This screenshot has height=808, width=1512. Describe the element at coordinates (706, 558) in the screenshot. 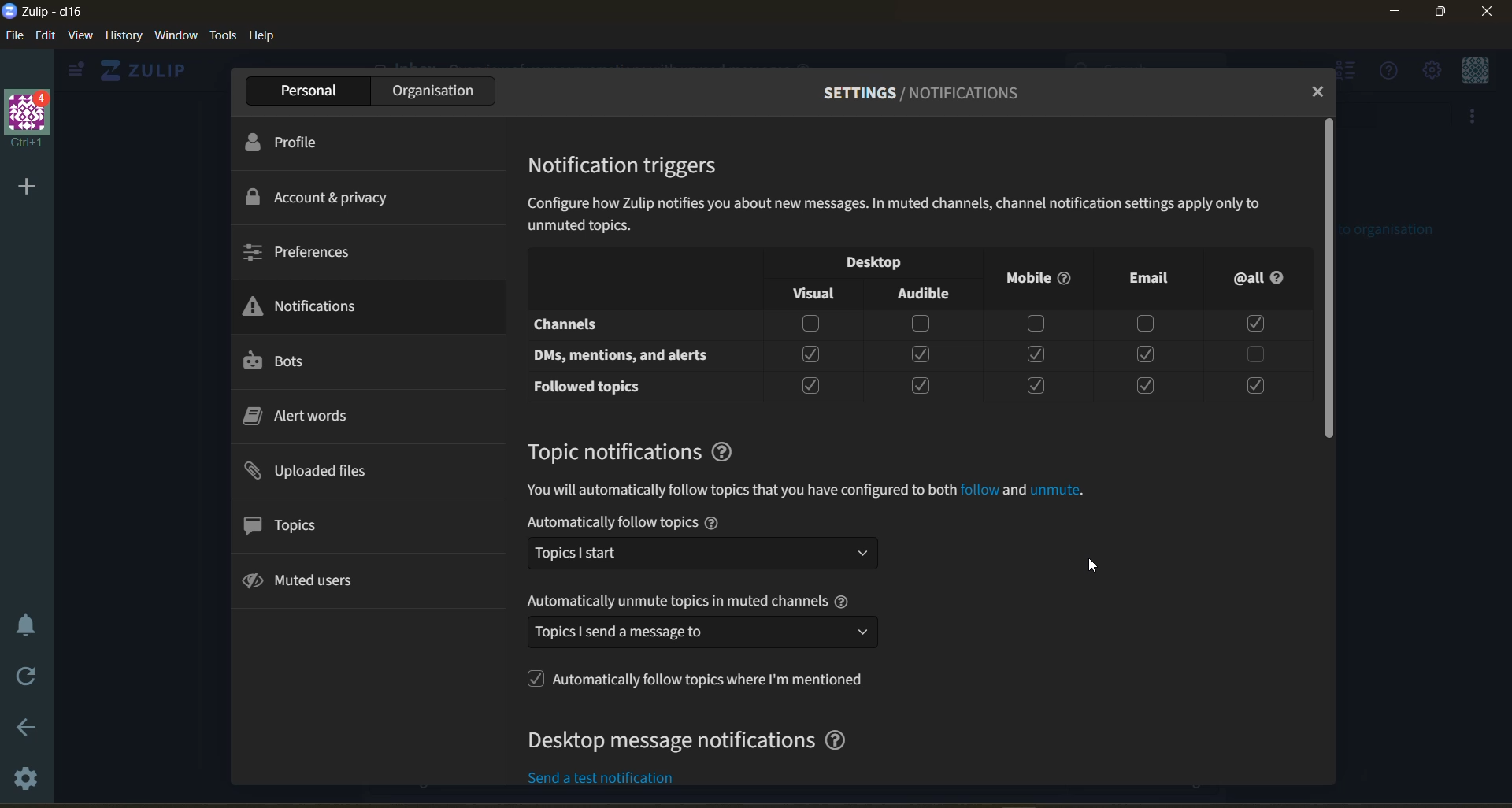

I see `Topic dropdown` at that location.